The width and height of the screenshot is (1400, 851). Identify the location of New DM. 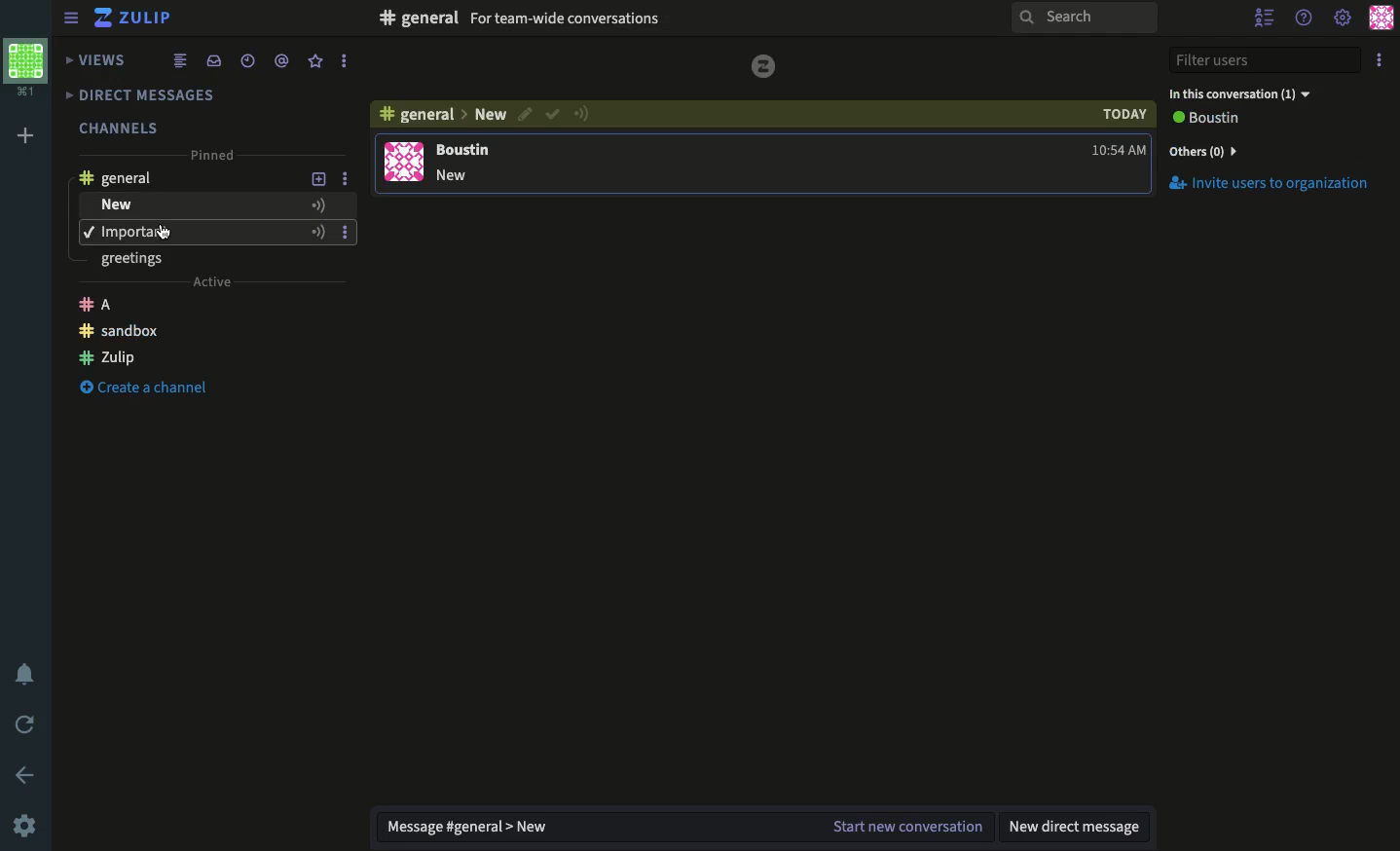
(1079, 828).